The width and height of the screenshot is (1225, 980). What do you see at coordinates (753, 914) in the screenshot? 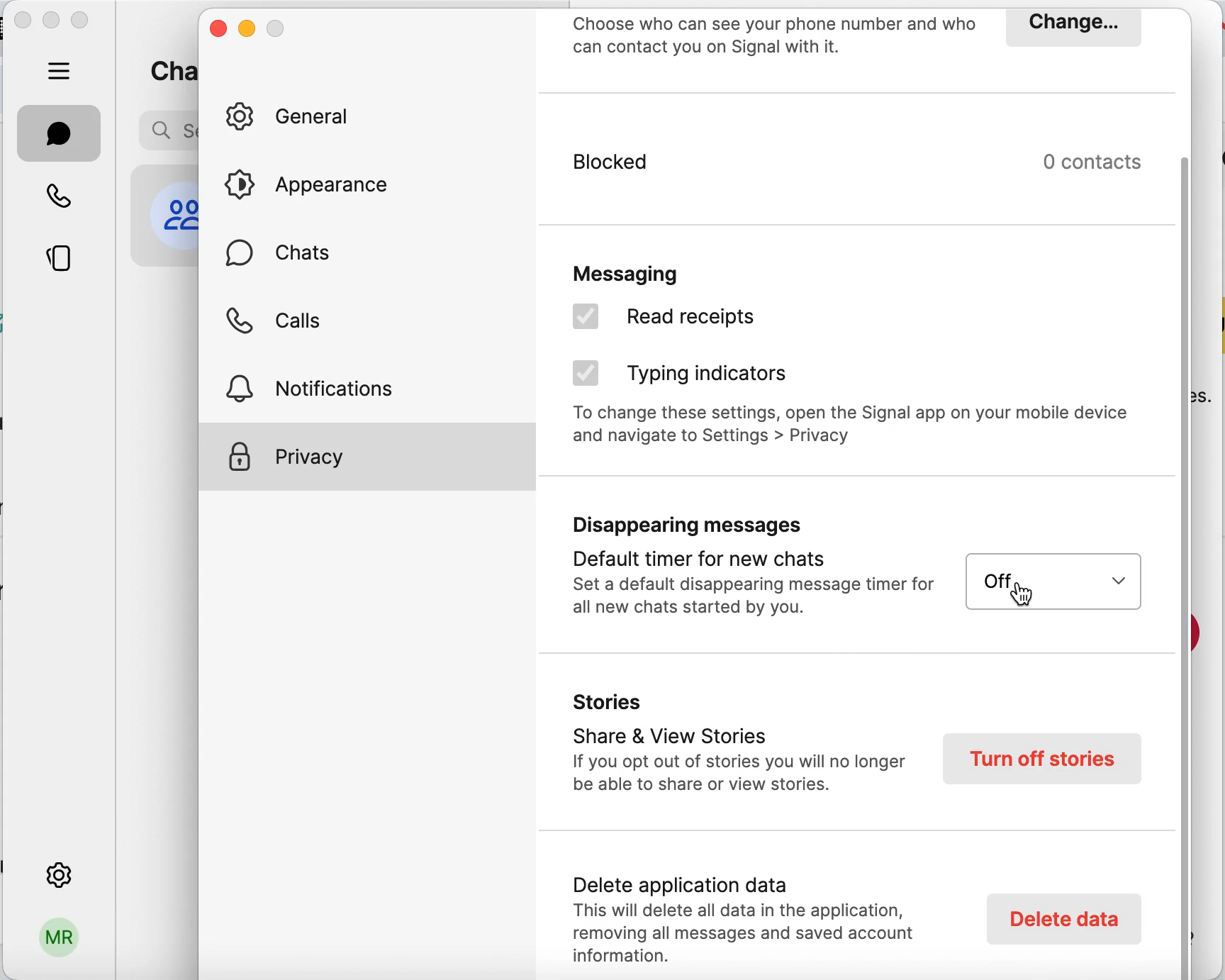
I see `delete application data` at bounding box center [753, 914].